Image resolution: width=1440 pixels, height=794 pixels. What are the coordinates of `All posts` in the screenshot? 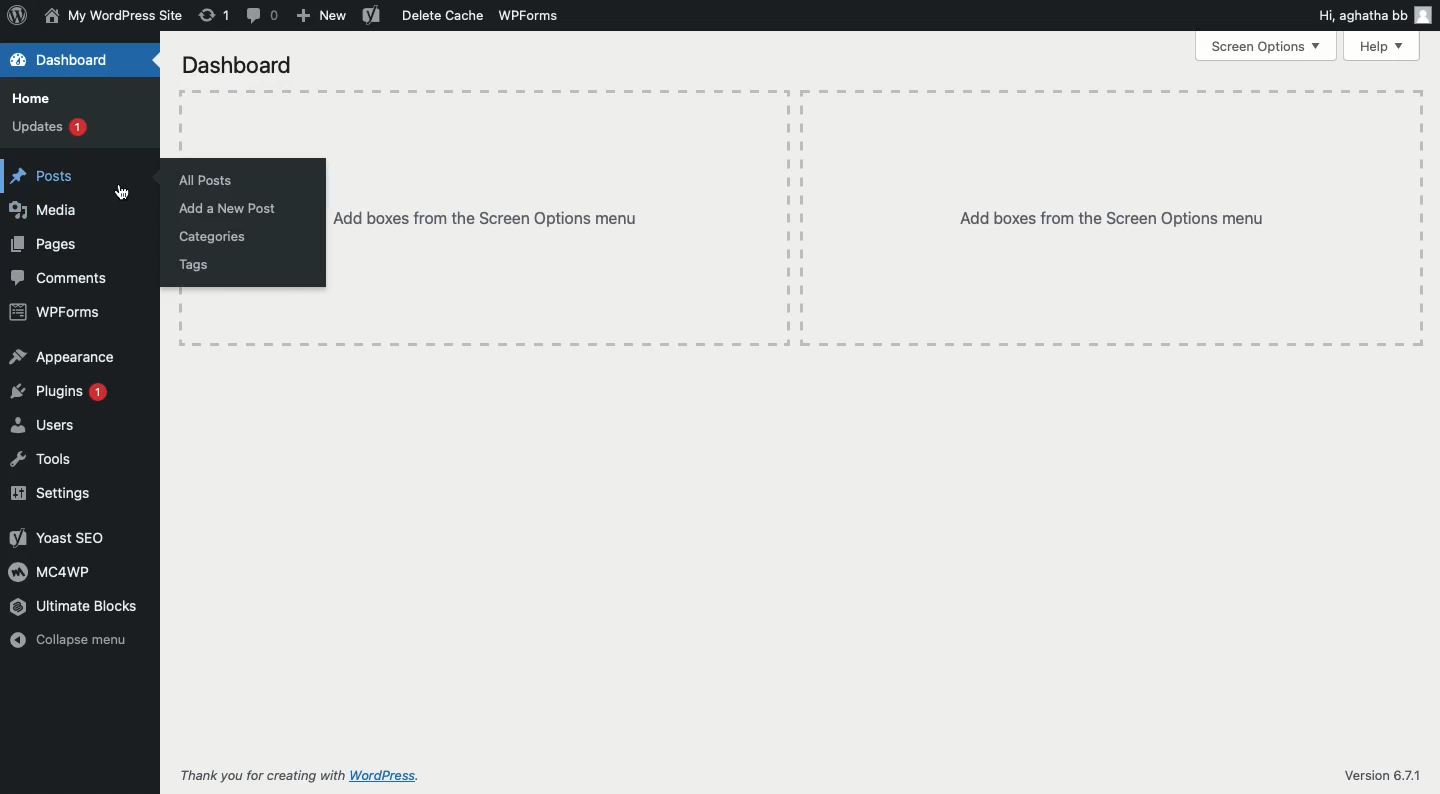 It's located at (203, 180).